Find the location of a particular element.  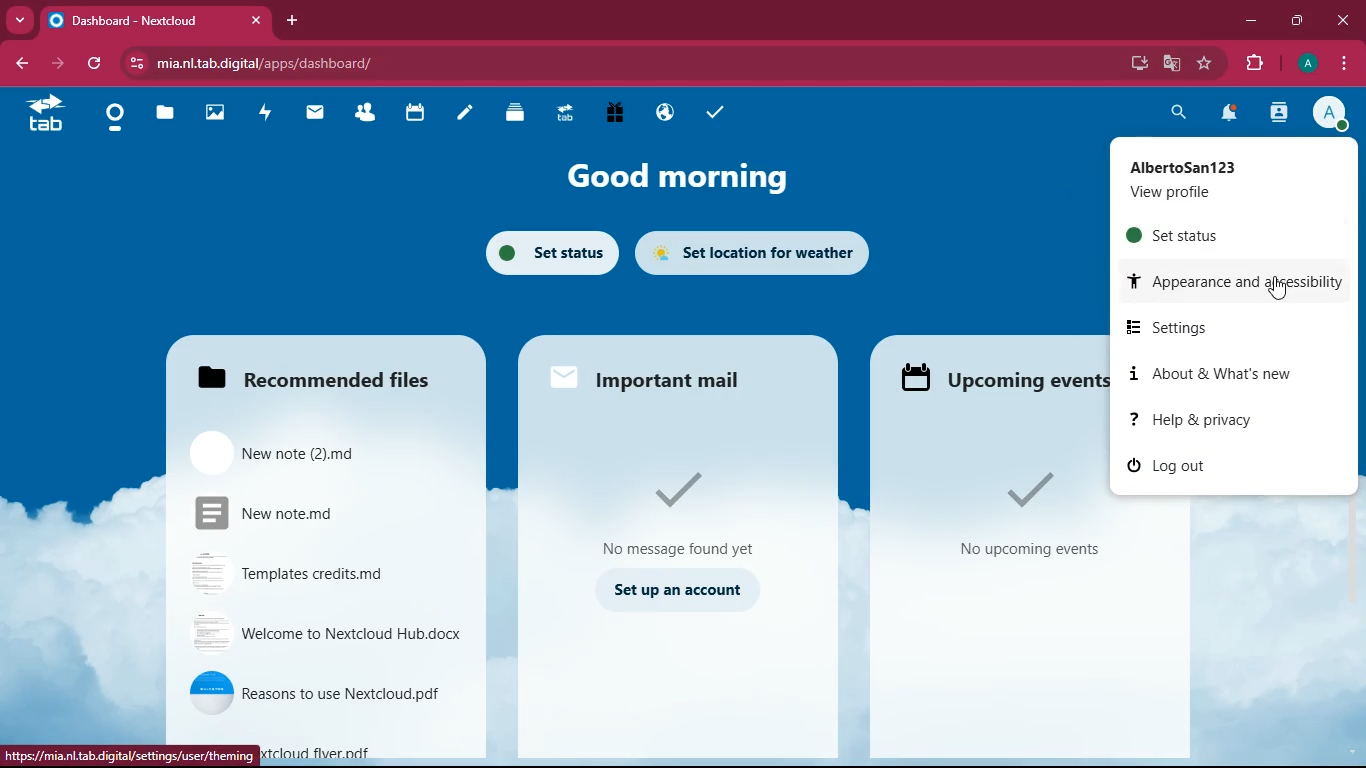

settings is located at coordinates (1222, 328).